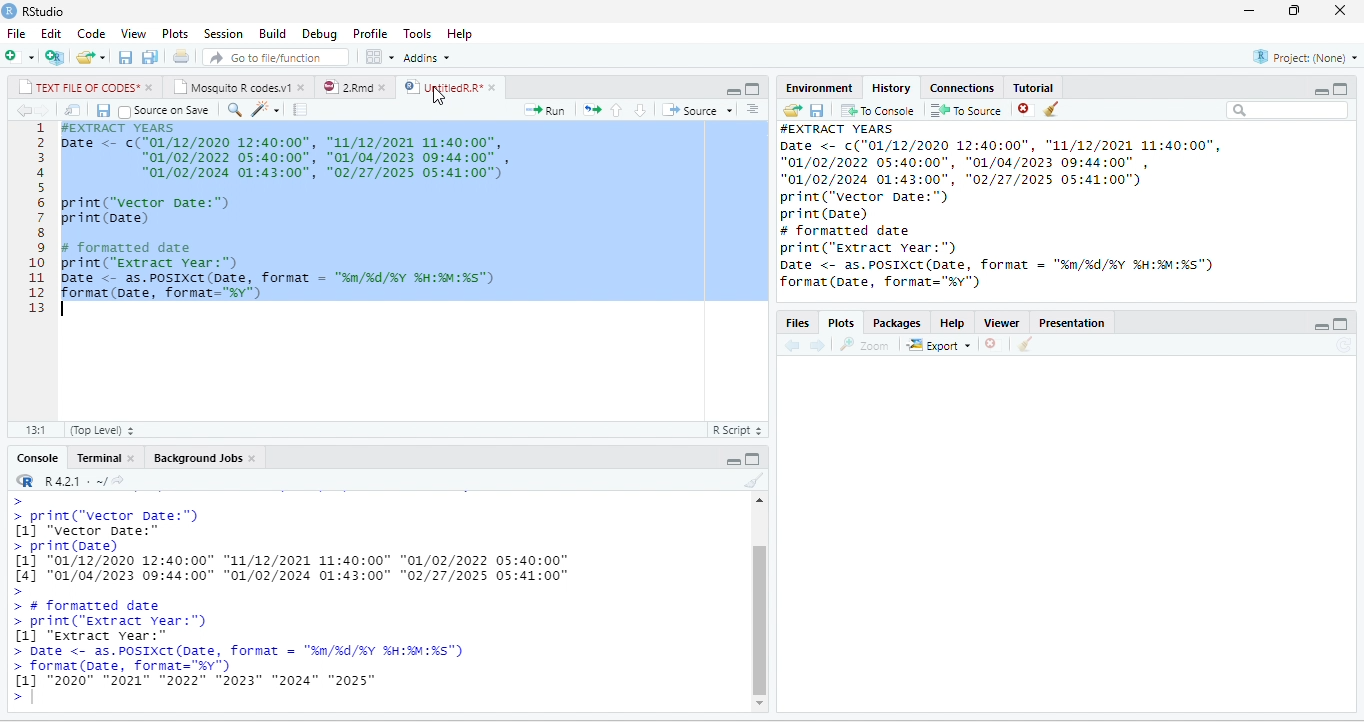 The height and width of the screenshot is (722, 1364). Describe the element at coordinates (224, 33) in the screenshot. I see `Session` at that location.